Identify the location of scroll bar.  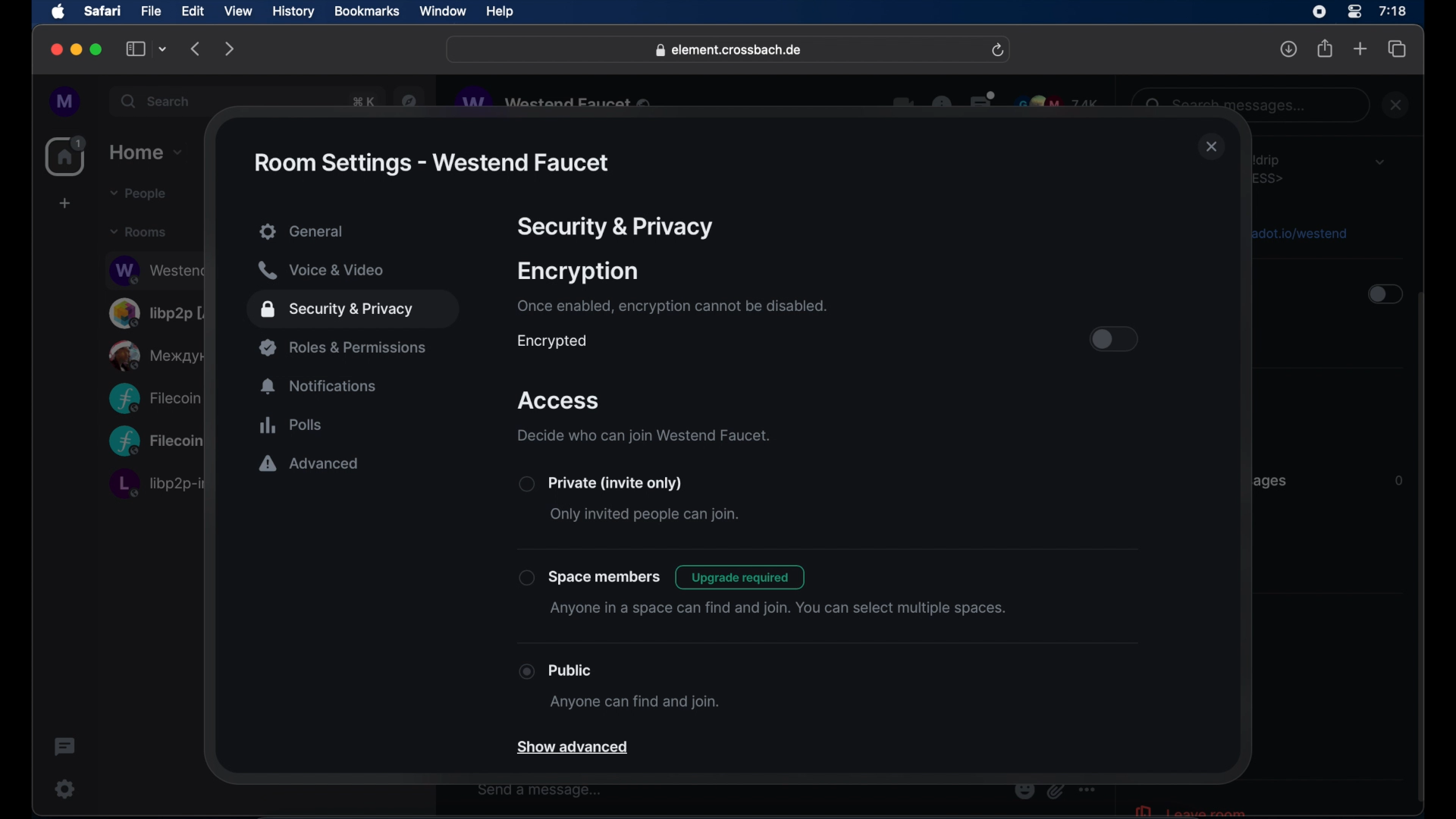
(1422, 549).